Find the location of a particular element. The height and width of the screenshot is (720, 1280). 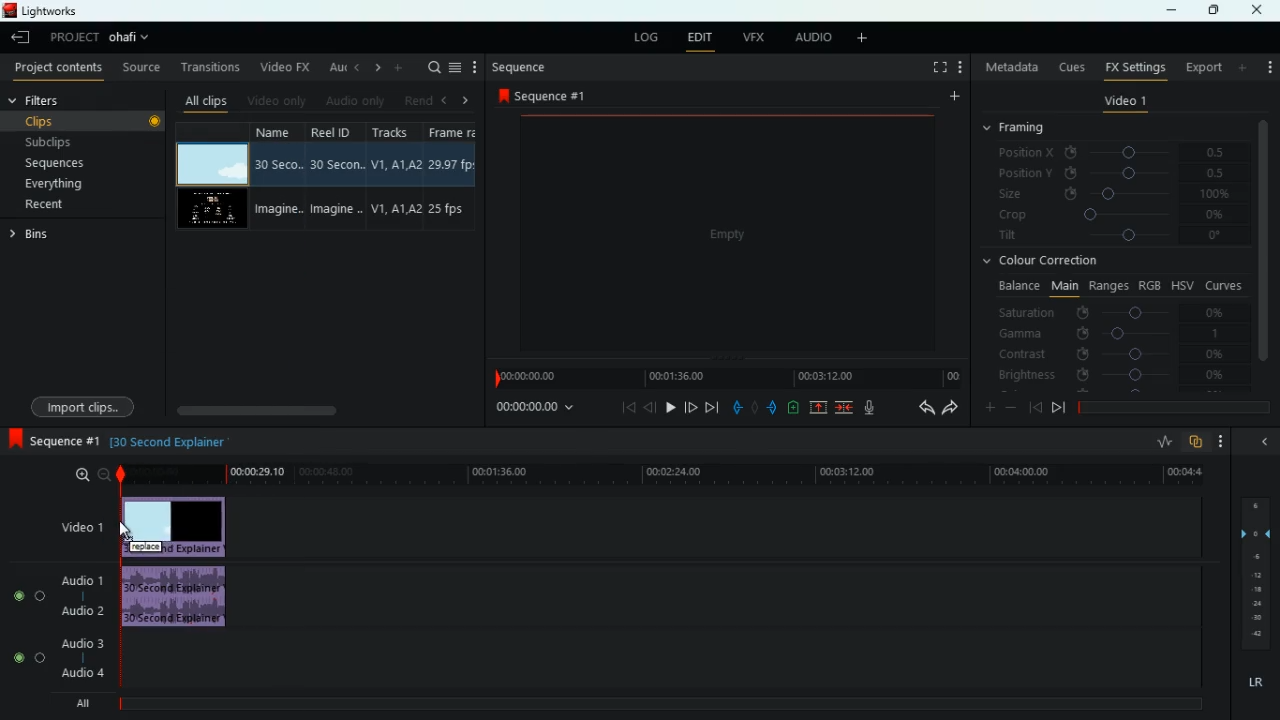

bins is located at coordinates (39, 235).